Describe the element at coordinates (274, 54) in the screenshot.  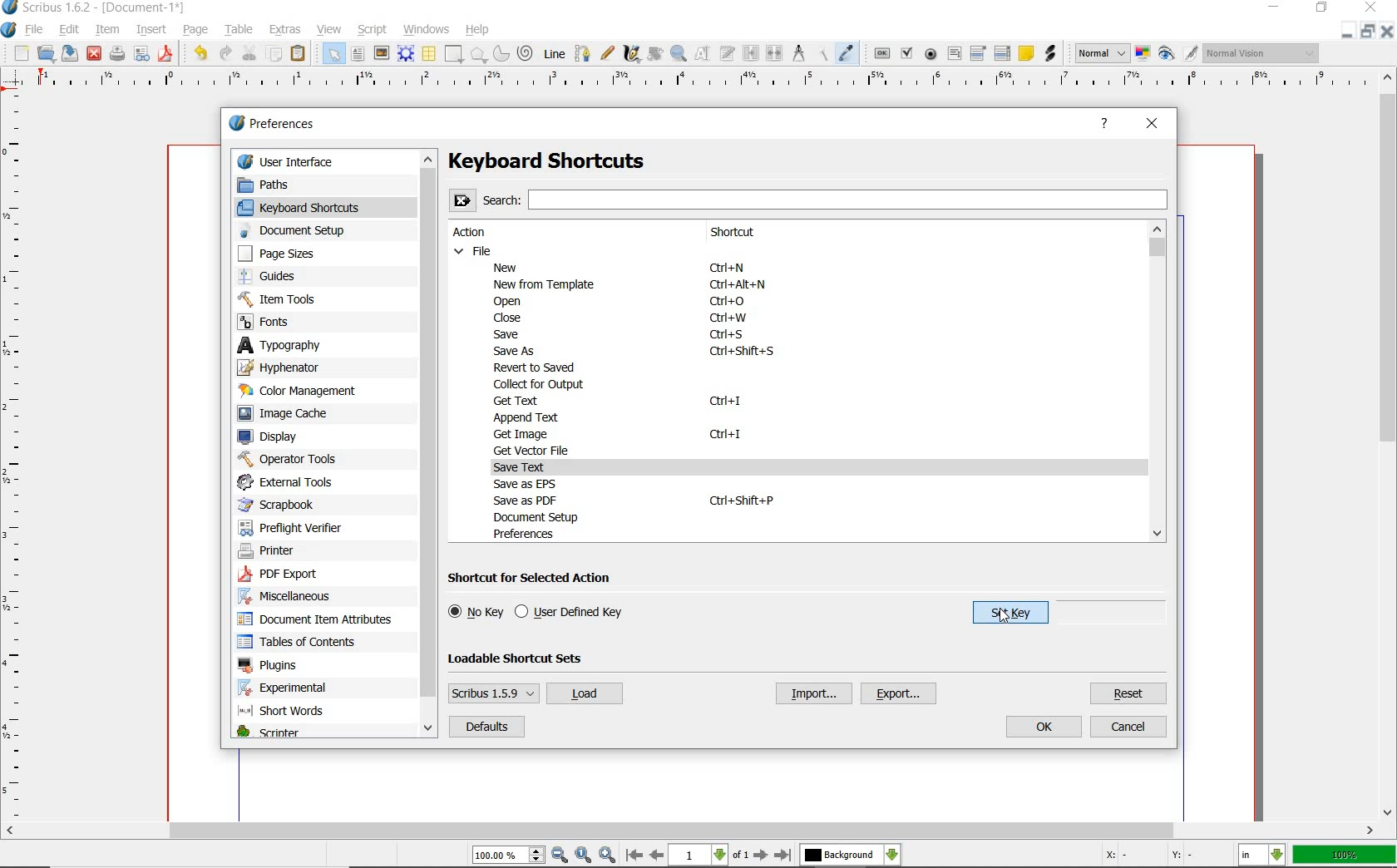
I see `copy` at that location.